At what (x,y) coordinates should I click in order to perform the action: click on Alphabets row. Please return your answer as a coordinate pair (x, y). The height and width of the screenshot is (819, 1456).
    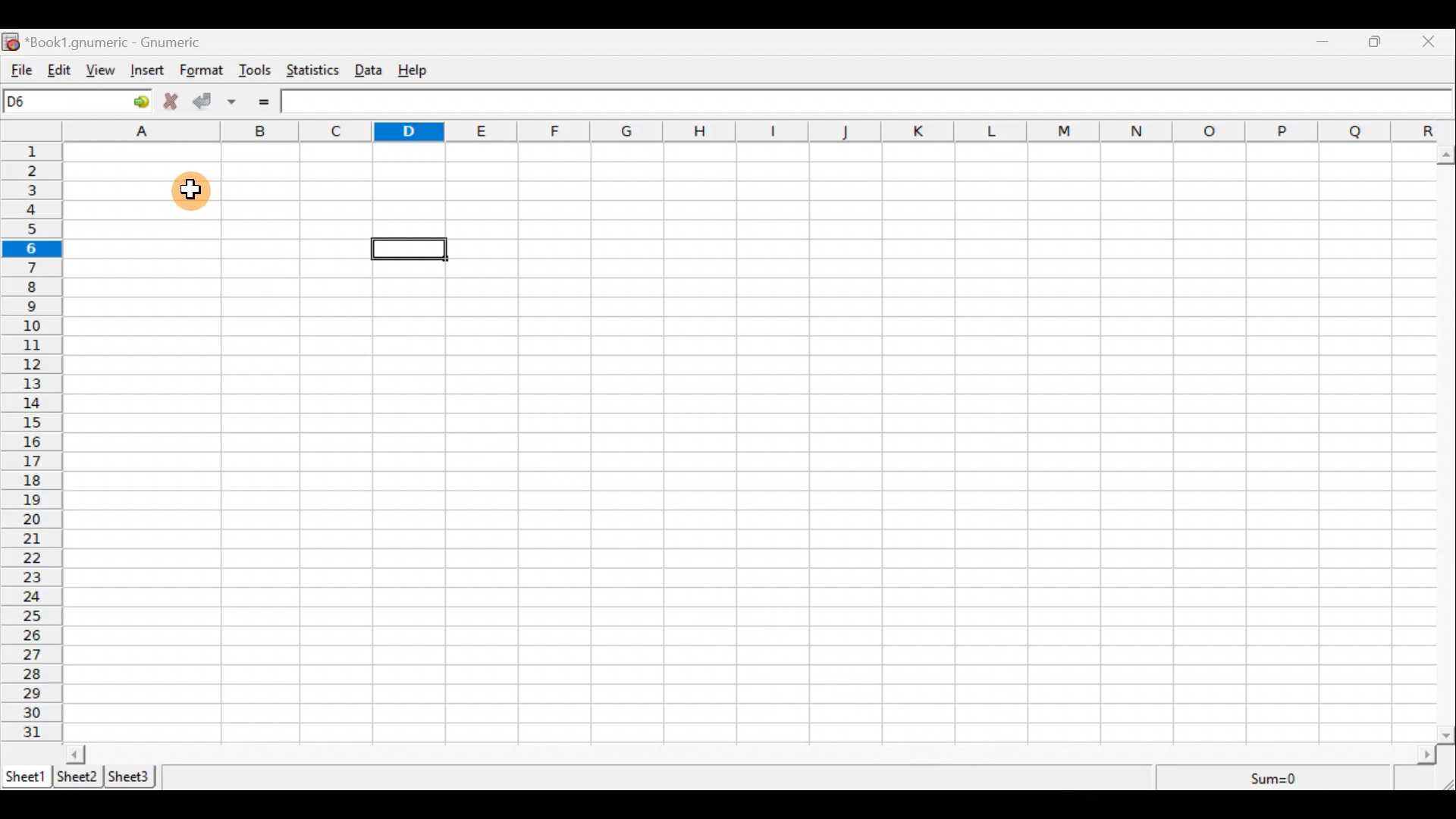
    Looking at the image, I should click on (755, 132).